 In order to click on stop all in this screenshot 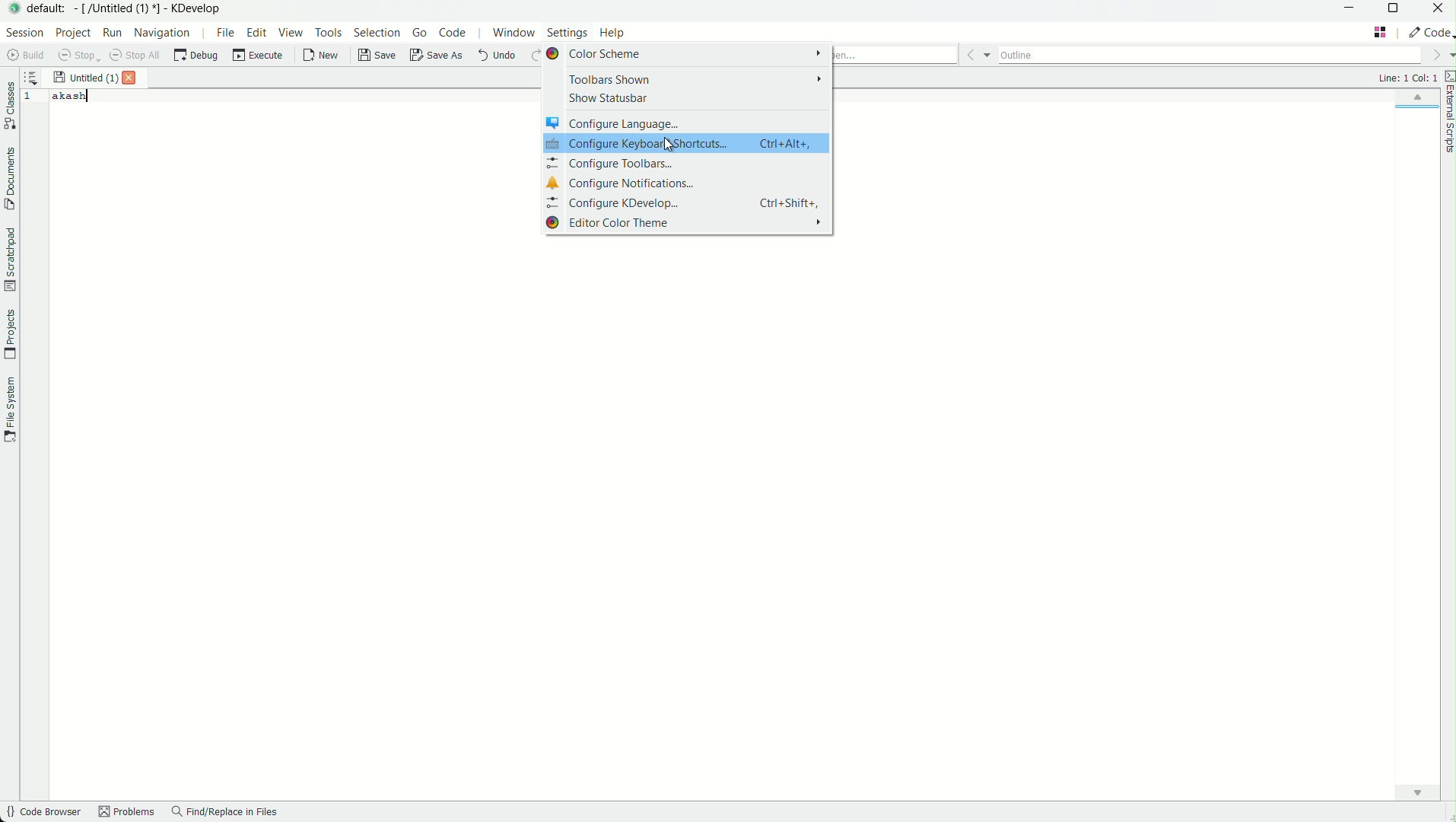, I will do `click(137, 56)`.